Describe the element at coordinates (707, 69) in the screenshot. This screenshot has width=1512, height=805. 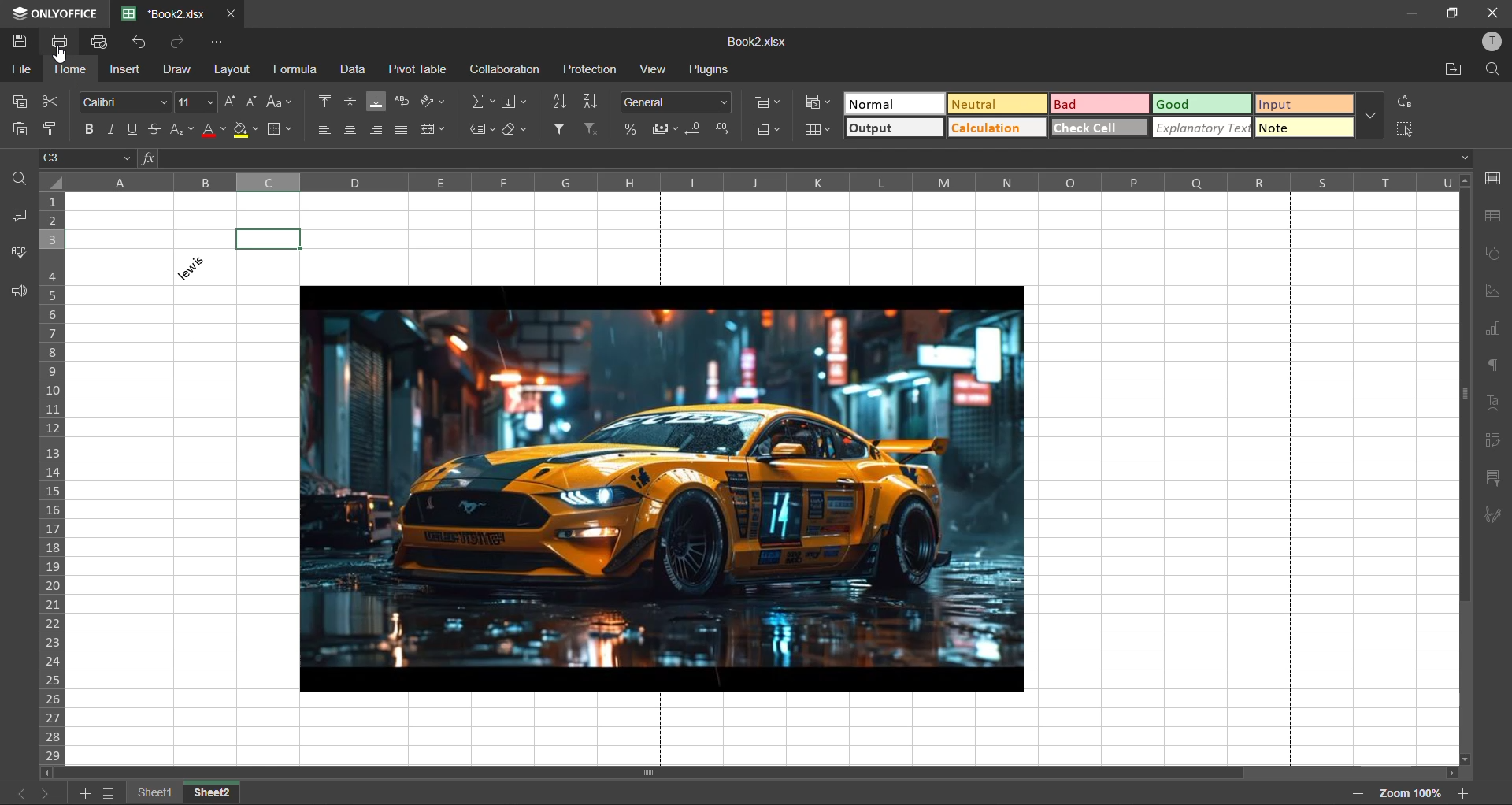
I see `plugins` at that location.